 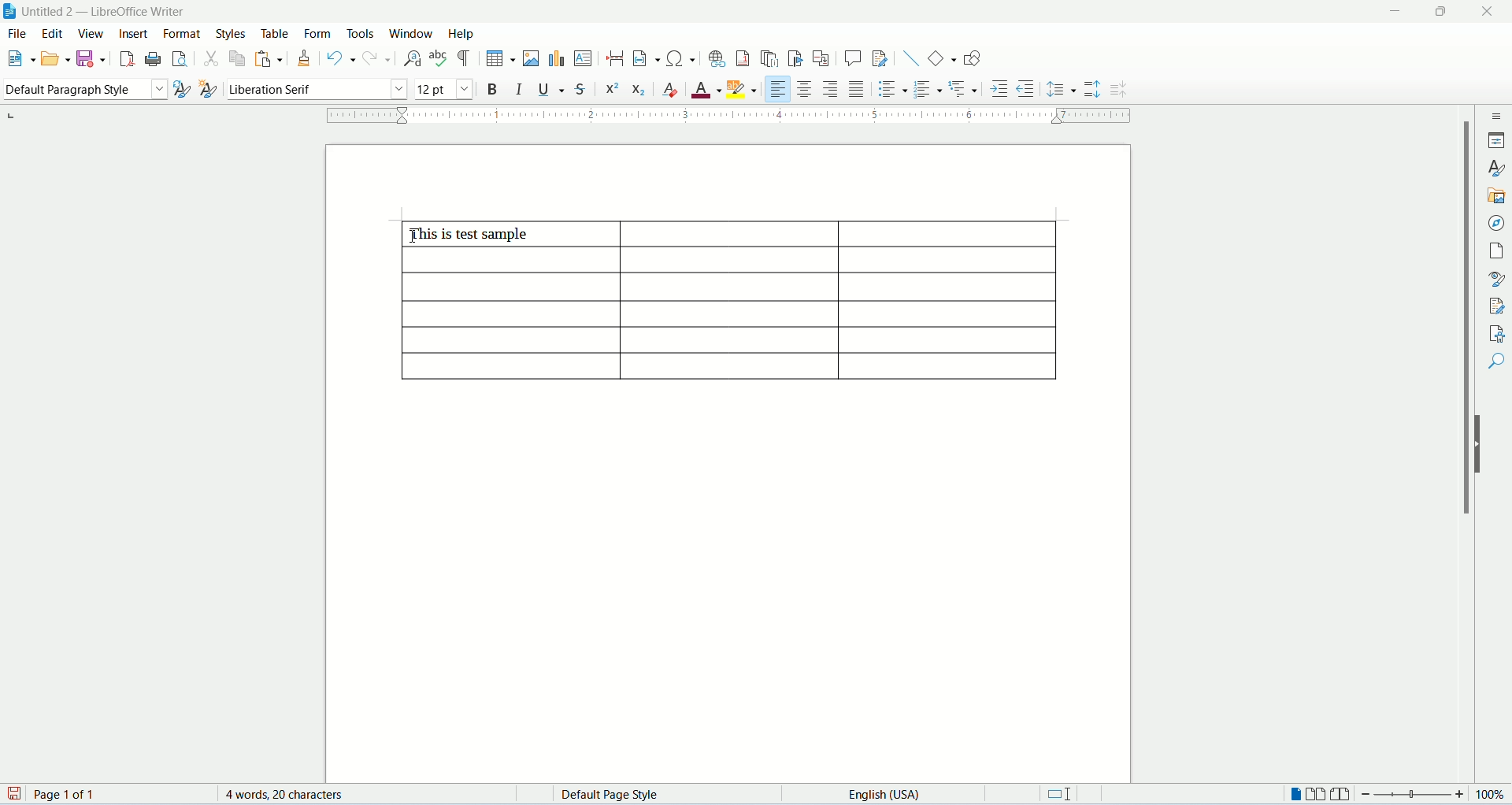 What do you see at coordinates (1416, 796) in the screenshot?
I see `zoom bar` at bounding box center [1416, 796].